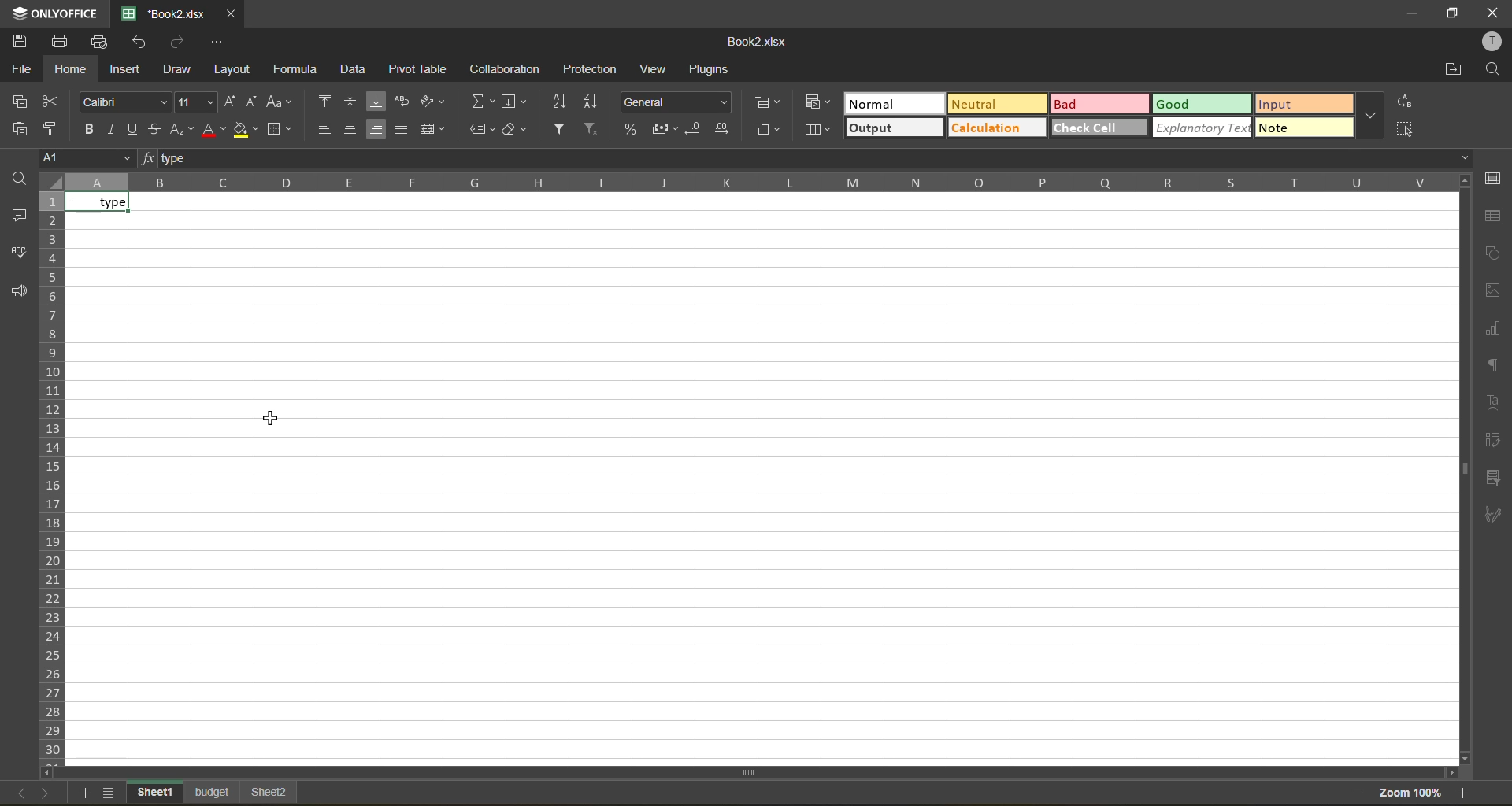  What do you see at coordinates (326, 103) in the screenshot?
I see `align top` at bounding box center [326, 103].